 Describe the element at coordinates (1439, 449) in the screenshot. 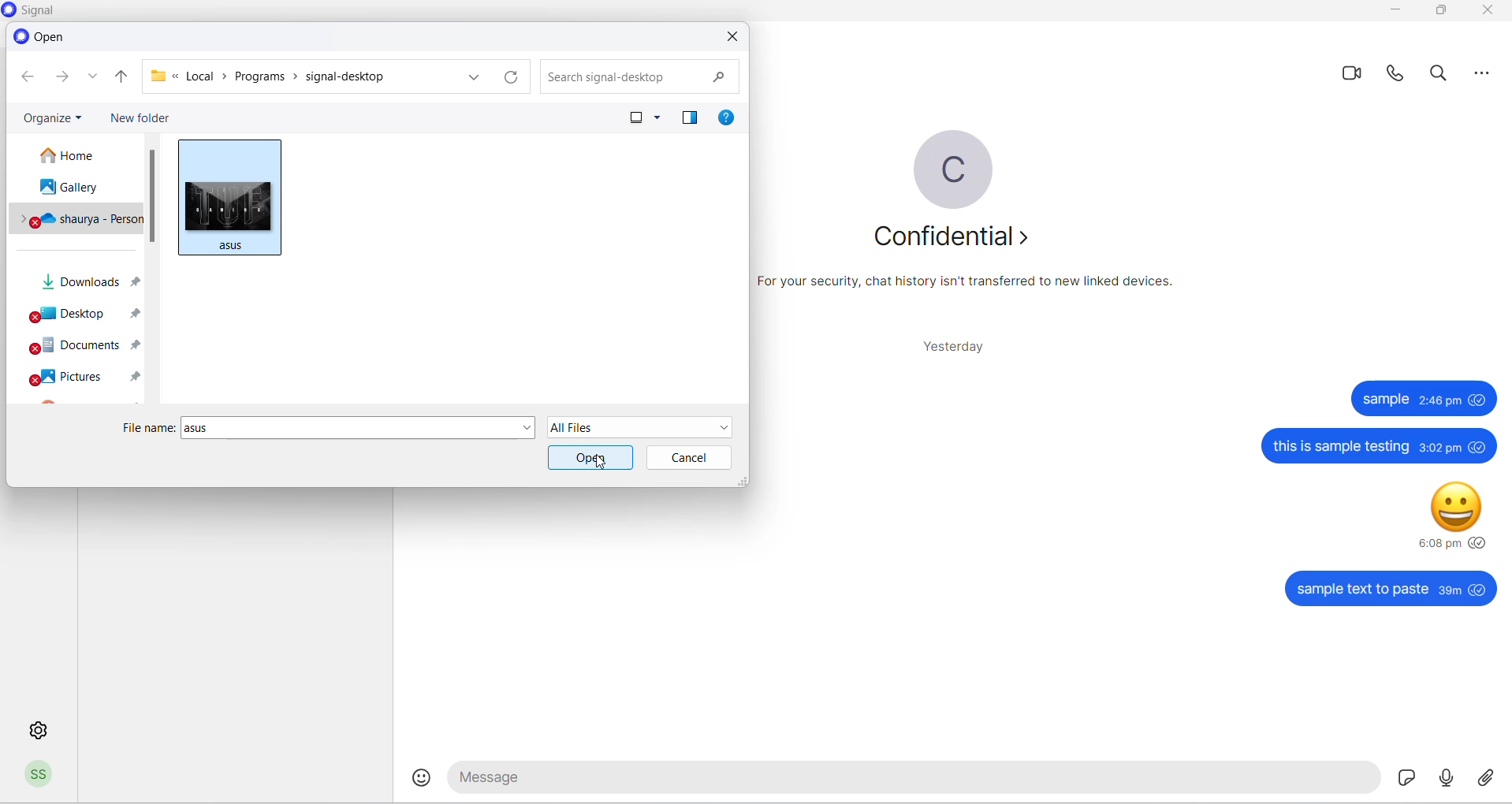

I see `3:02 pm` at that location.